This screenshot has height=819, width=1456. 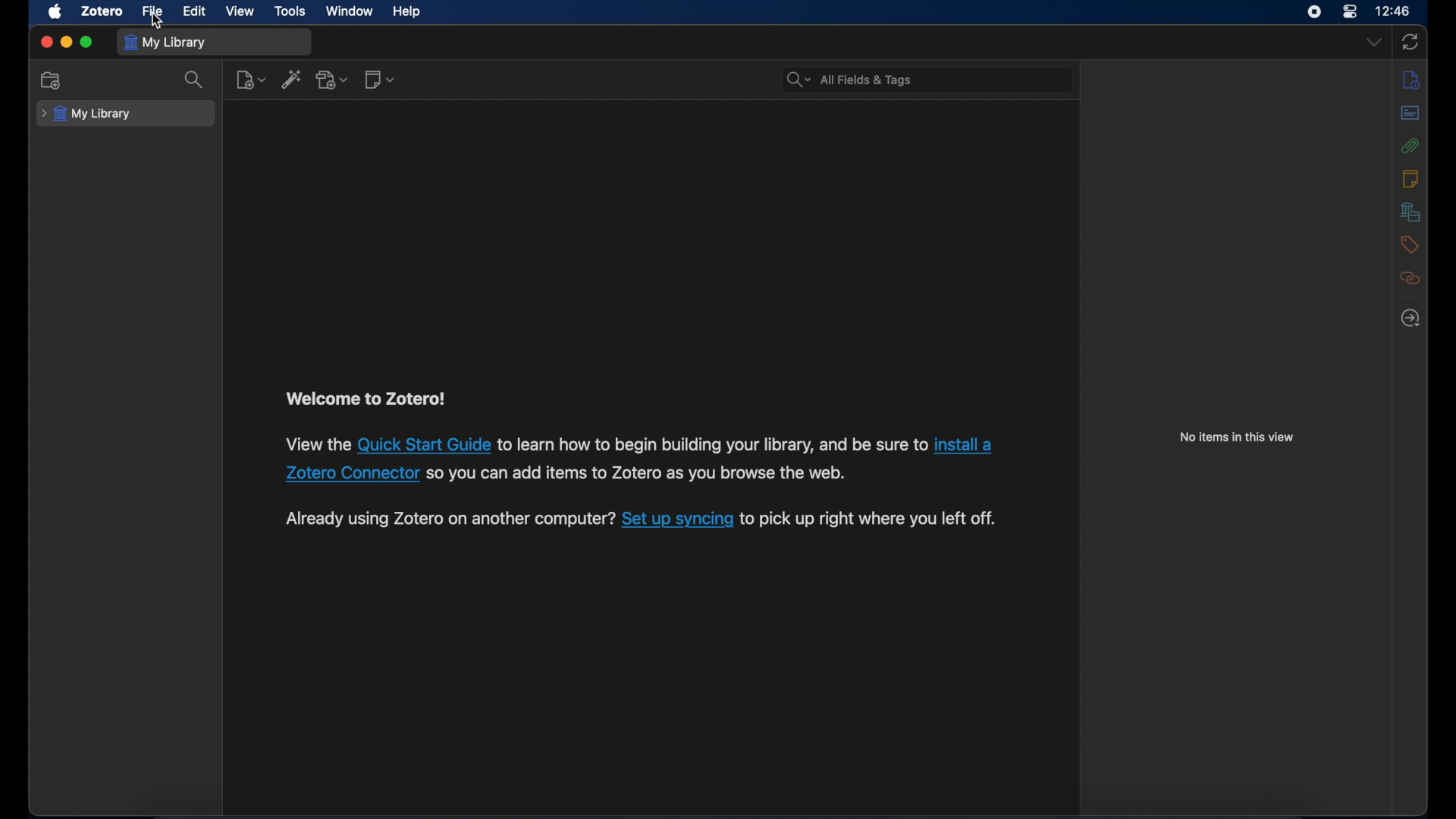 I want to click on libraries and collections, so click(x=1410, y=212).